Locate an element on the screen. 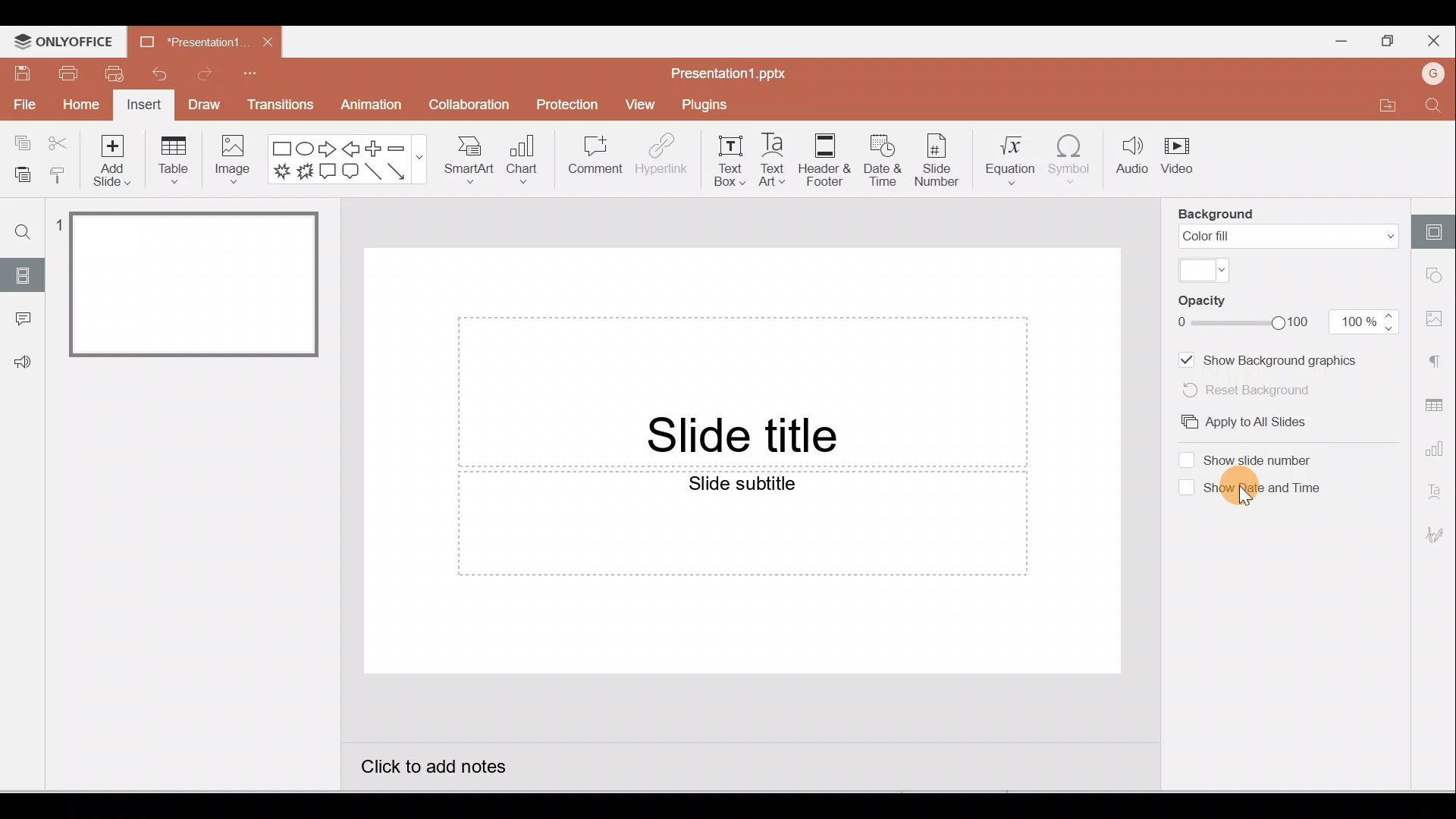 Image resolution: width=1456 pixels, height=819 pixels. Reset background is located at coordinates (1255, 391).